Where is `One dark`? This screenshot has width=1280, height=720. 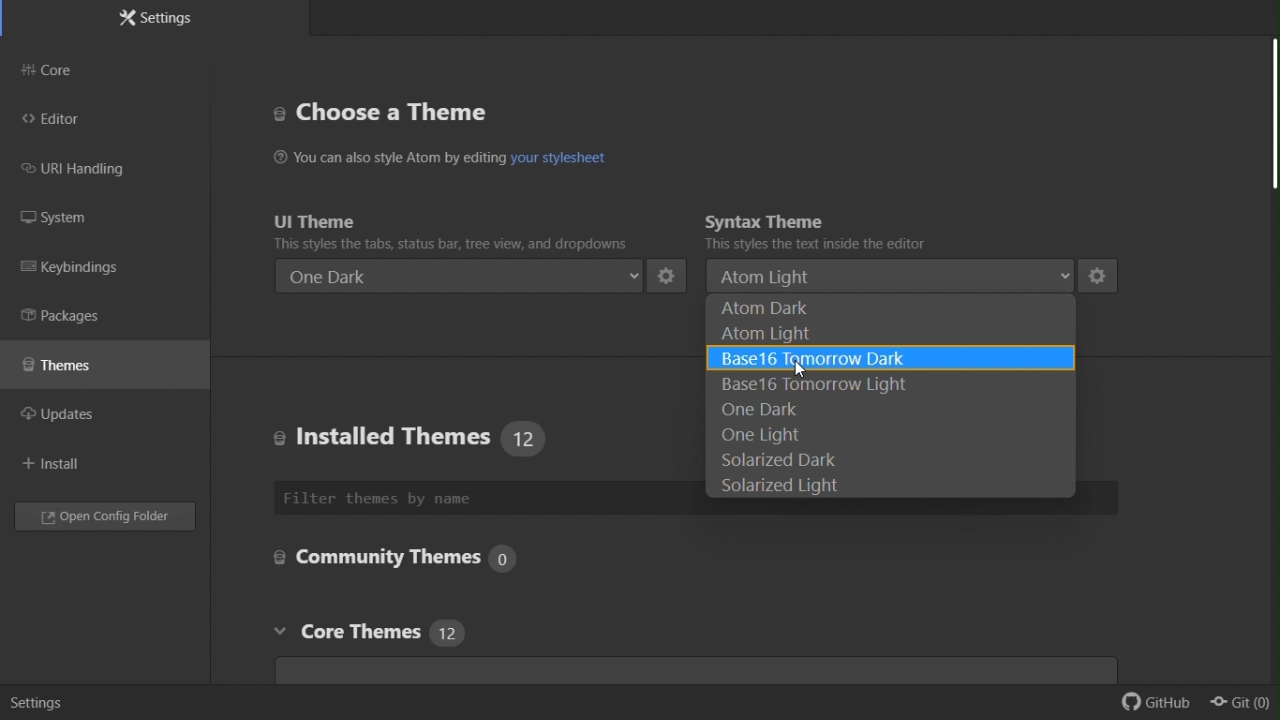
One dark is located at coordinates (459, 275).